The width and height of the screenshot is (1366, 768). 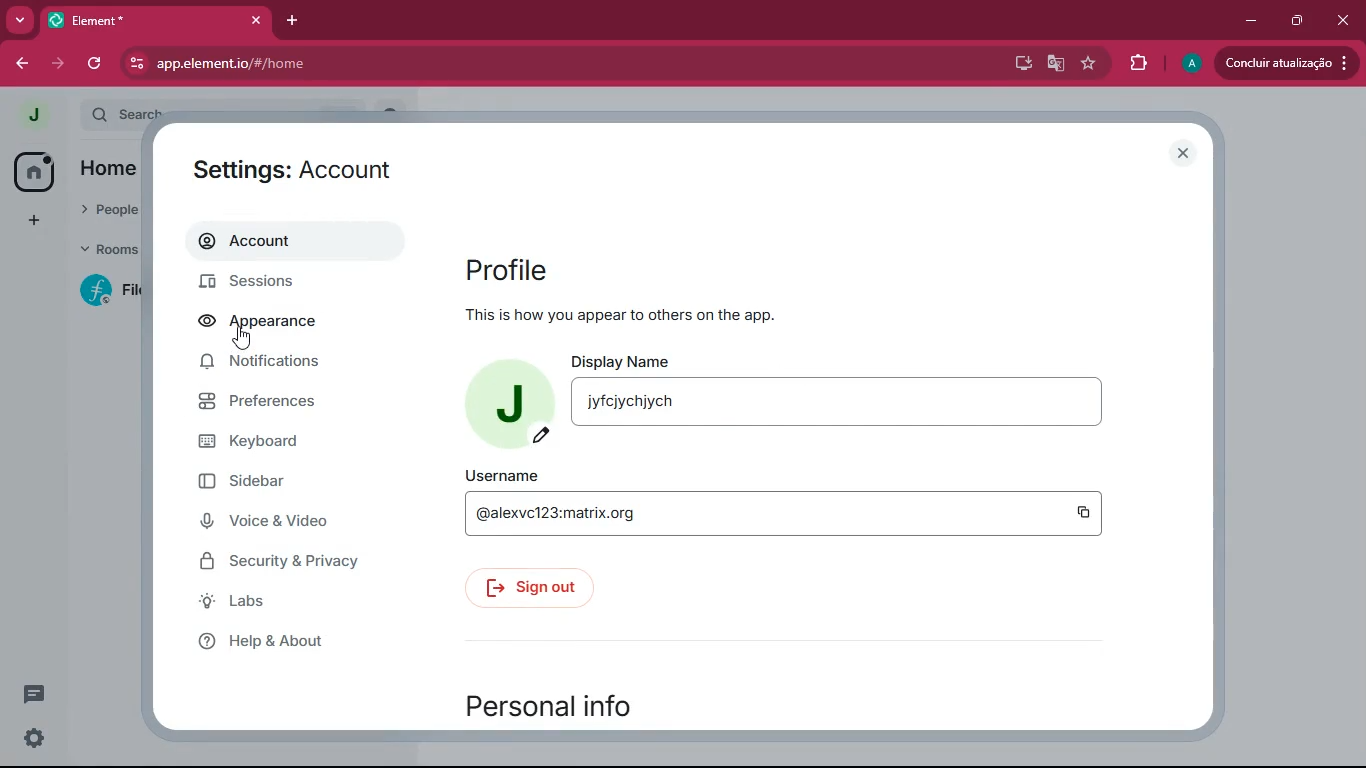 I want to click on Element*, so click(x=140, y=19).